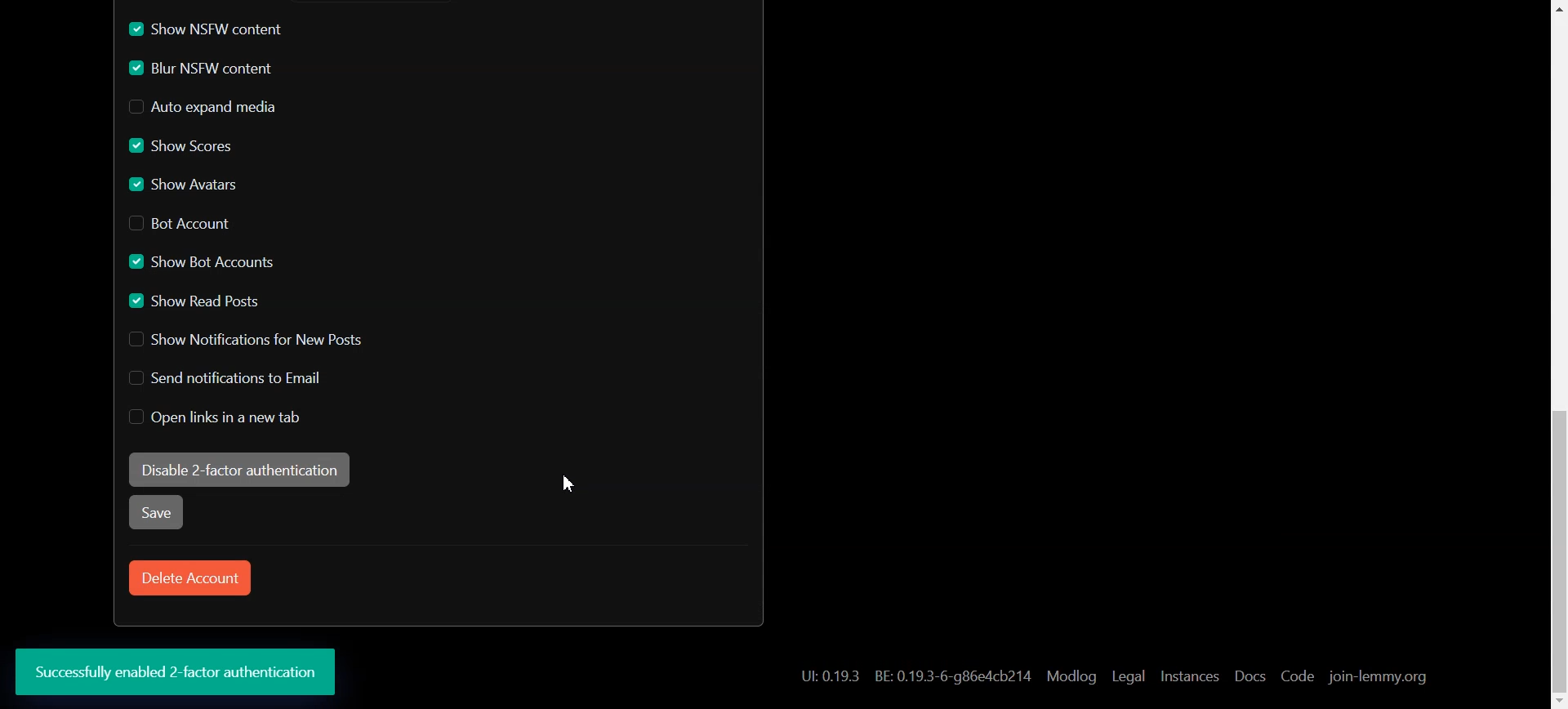 The image size is (1568, 709). I want to click on Disable Bot Account, so click(187, 221).